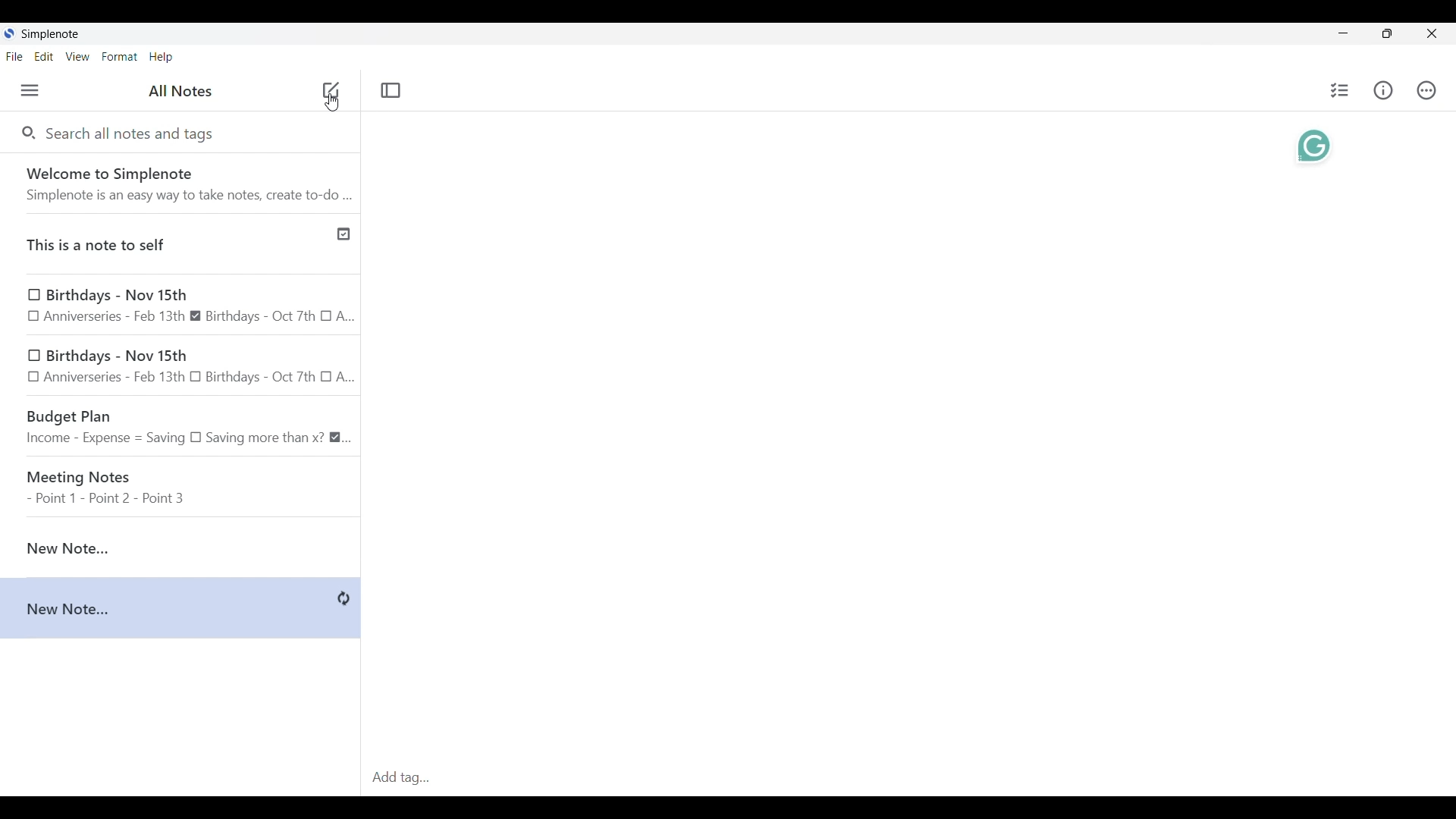 The height and width of the screenshot is (819, 1456). I want to click on Budget Plan, so click(181, 424).